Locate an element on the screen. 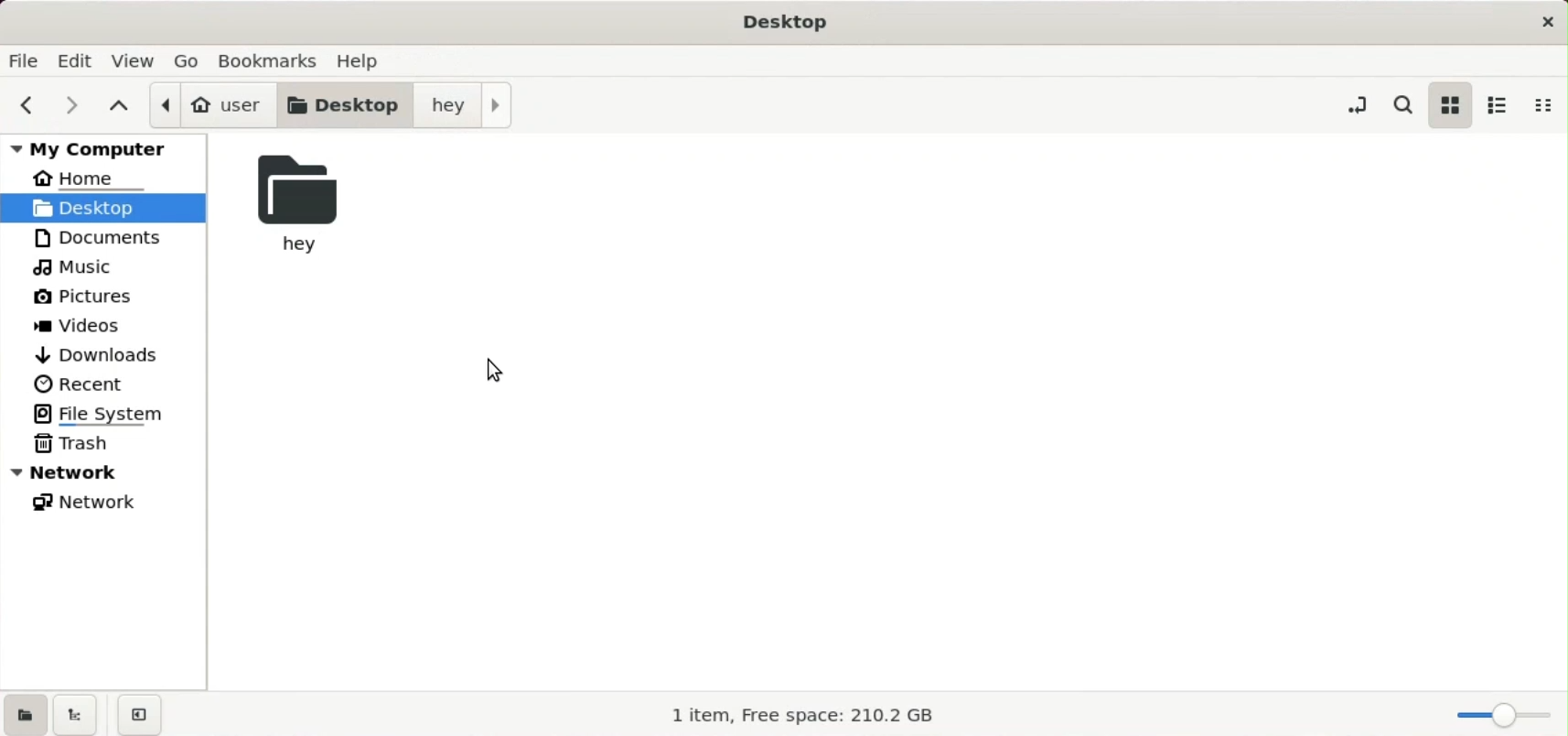 This screenshot has width=1568, height=736. show places is located at coordinates (24, 714).